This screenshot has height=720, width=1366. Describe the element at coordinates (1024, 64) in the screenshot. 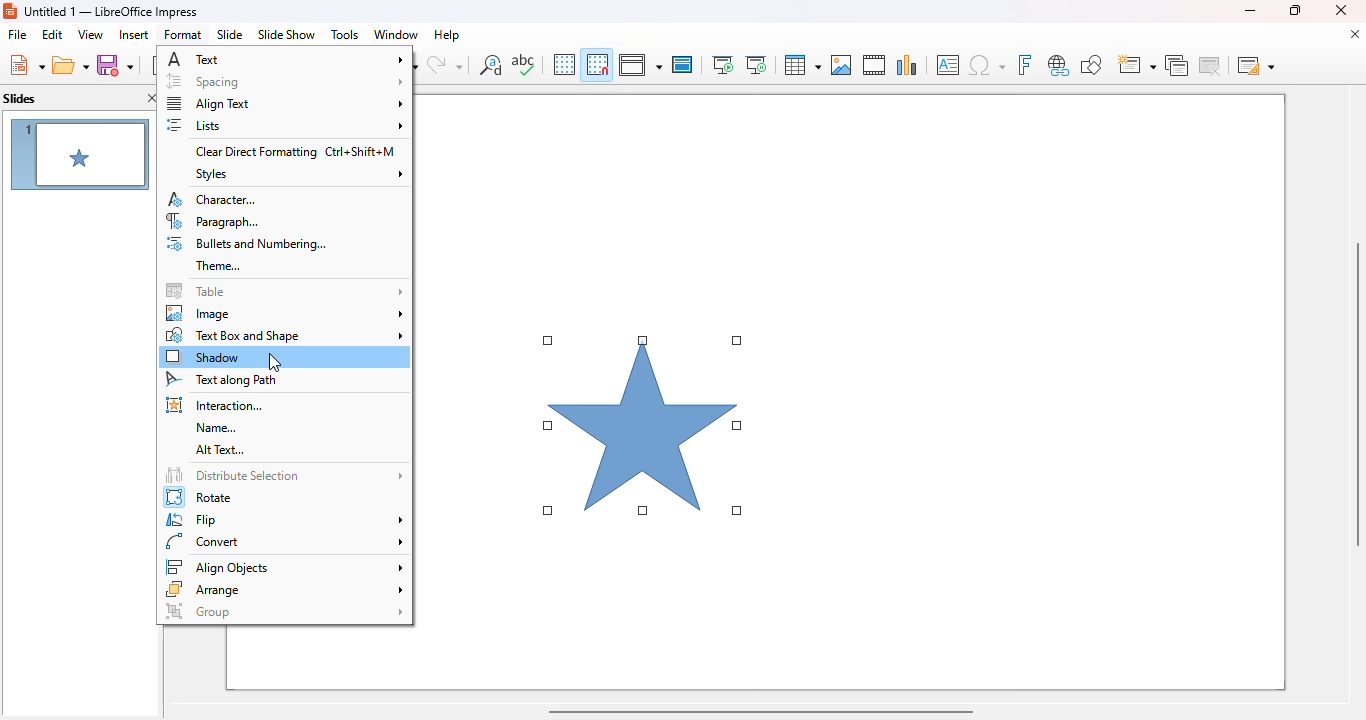

I see `insert fontwork text` at that location.